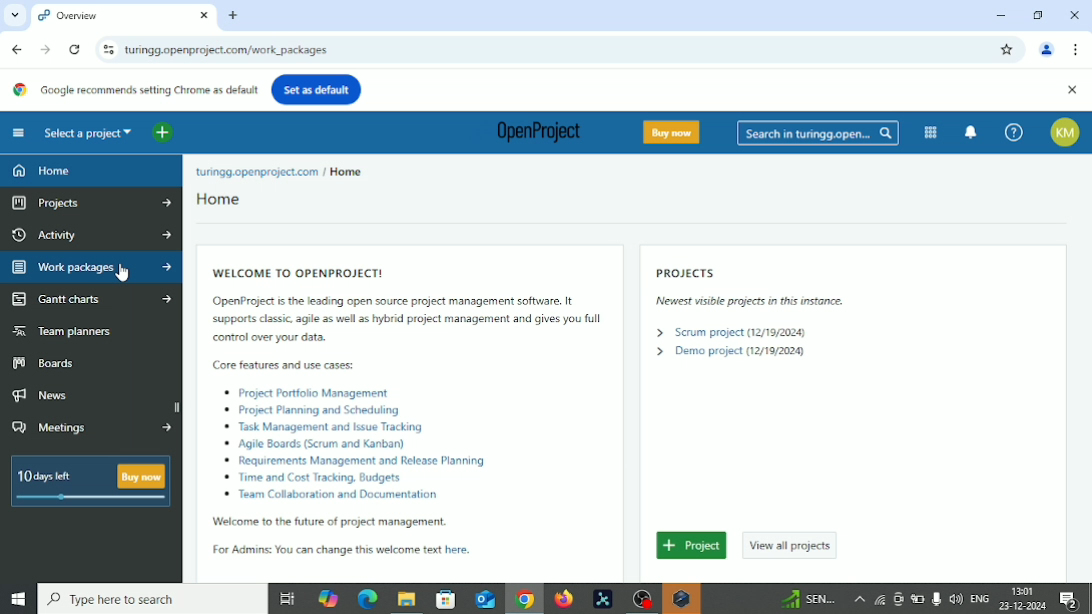 This screenshot has width=1092, height=614. What do you see at coordinates (1078, 49) in the screenshot?
I see `Customize and control google chrome` at bounding box center [1078, 49].